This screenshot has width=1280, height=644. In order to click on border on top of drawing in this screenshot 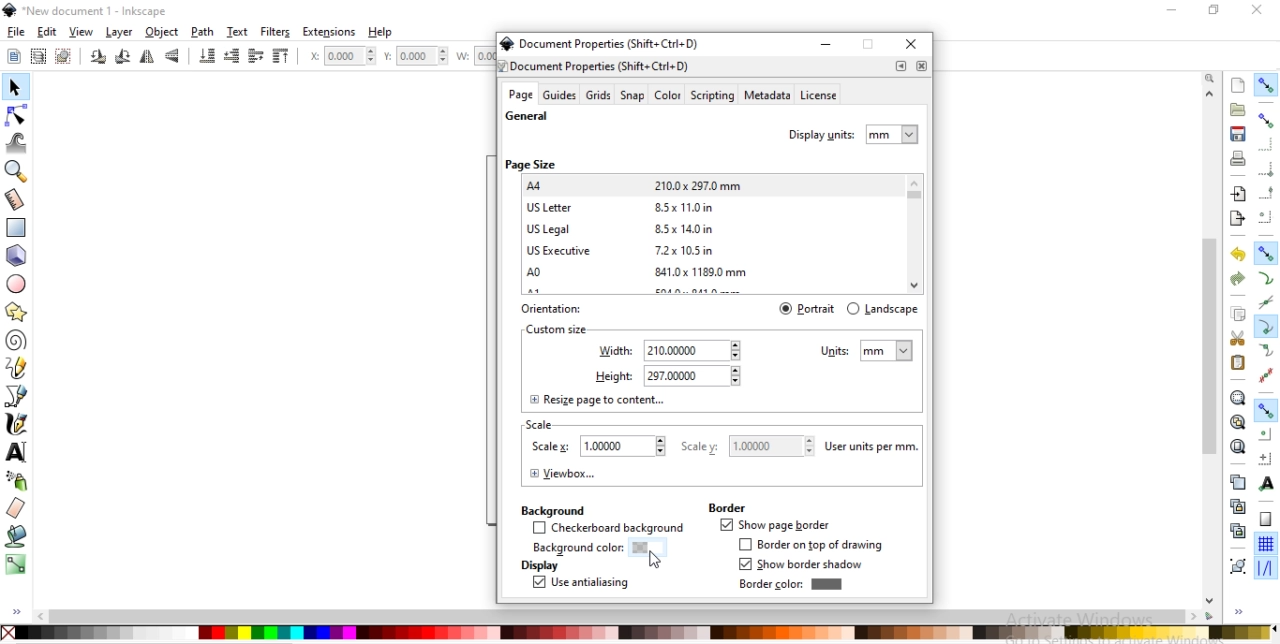, I will do `click(815, 545)`.